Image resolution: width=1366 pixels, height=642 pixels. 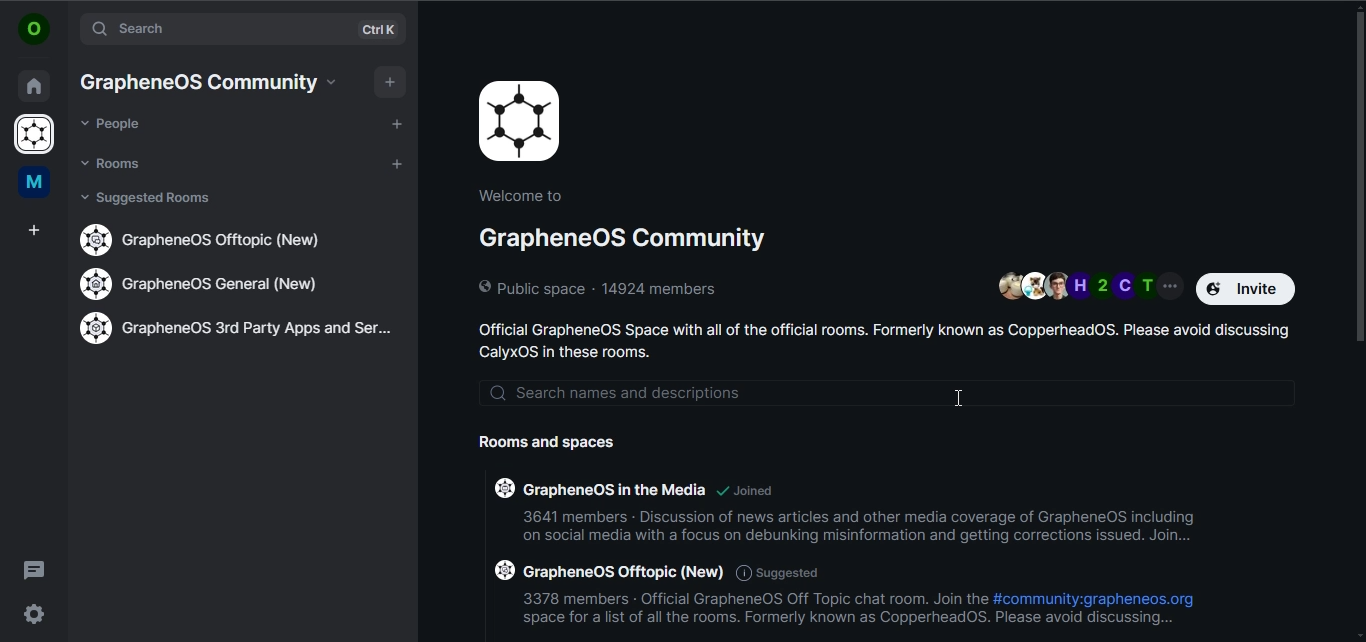 What do you see at coordinates (149, 202) in the screenshot?
I see `suggested rooms` at bounding box center [149, 202].